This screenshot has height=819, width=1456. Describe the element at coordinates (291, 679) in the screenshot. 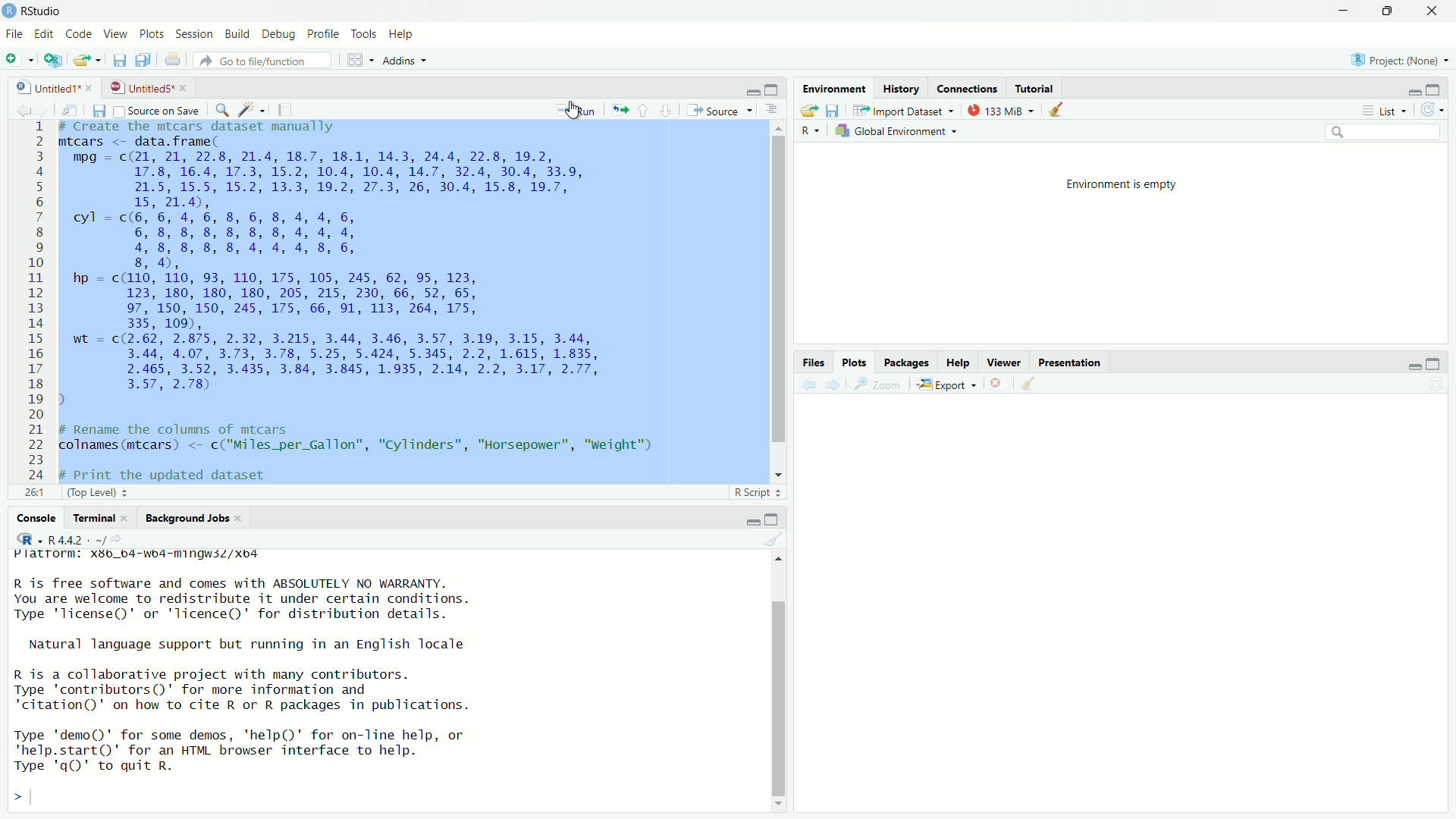

I see `platrorm: x¥b_b4-wb4-mingw3Z/xo4

R is free software and comes with ABSOLUTELY NO WARRANTY.

You are welcome to redistribute it under certain conditions.

Type 'license()' or 'licence()' for distribution details.
Natural language support but running in an English locale

R is a collaborative project with many contributors.

Type 'contributors()' for more information and

'citation()' on how to cite R or R packages in publications.

Type 'demo()' for some demos, 'help()' for on-Tine help, or

'help.start()"' for an HTML browser interface to help.

Type 'qQ' to quit R.

>` at that location.